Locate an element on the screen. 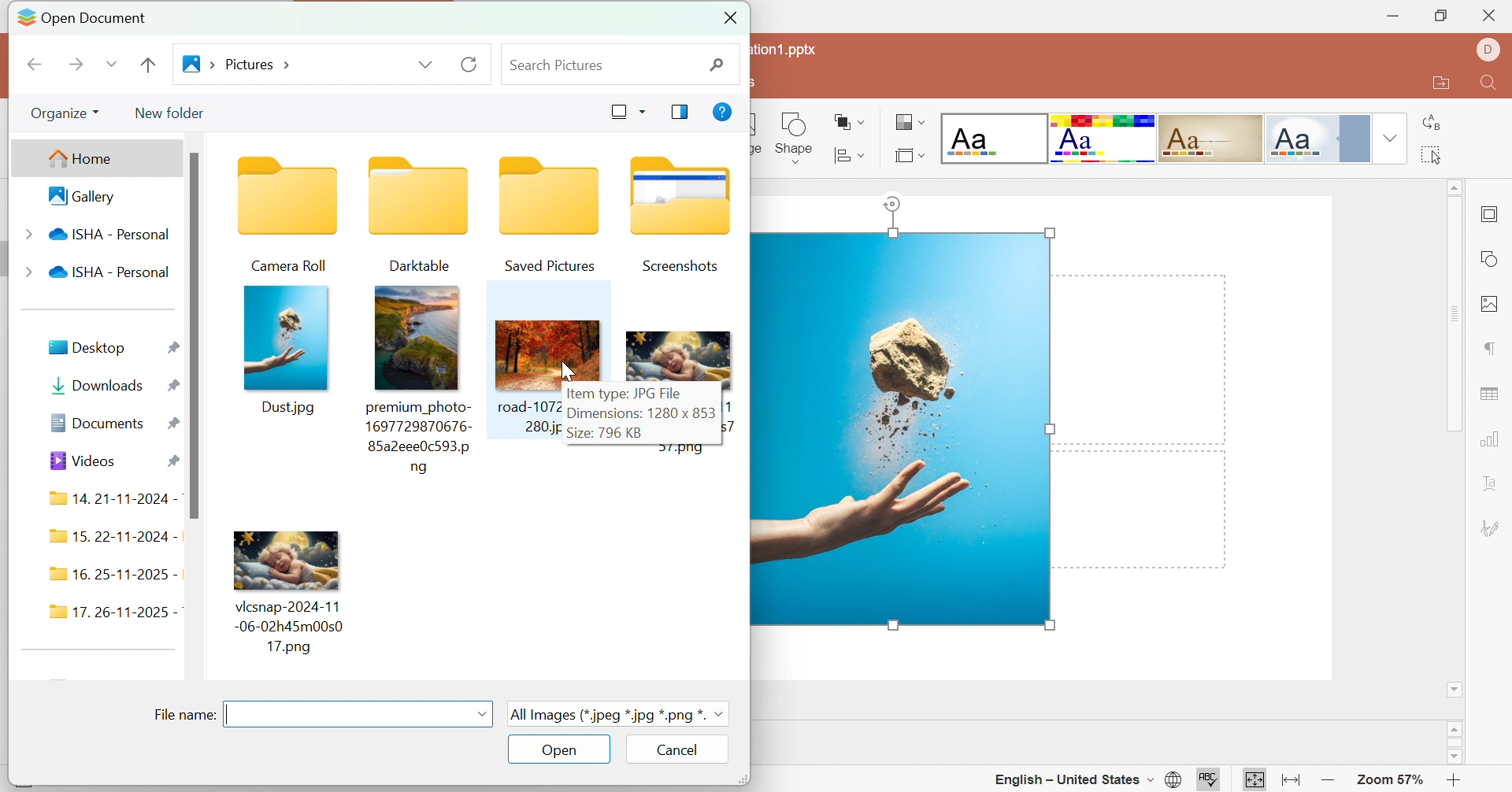 Image resolution: width=1512 pixels, height=792 pixels. photo is located at coordinates (416, 339).